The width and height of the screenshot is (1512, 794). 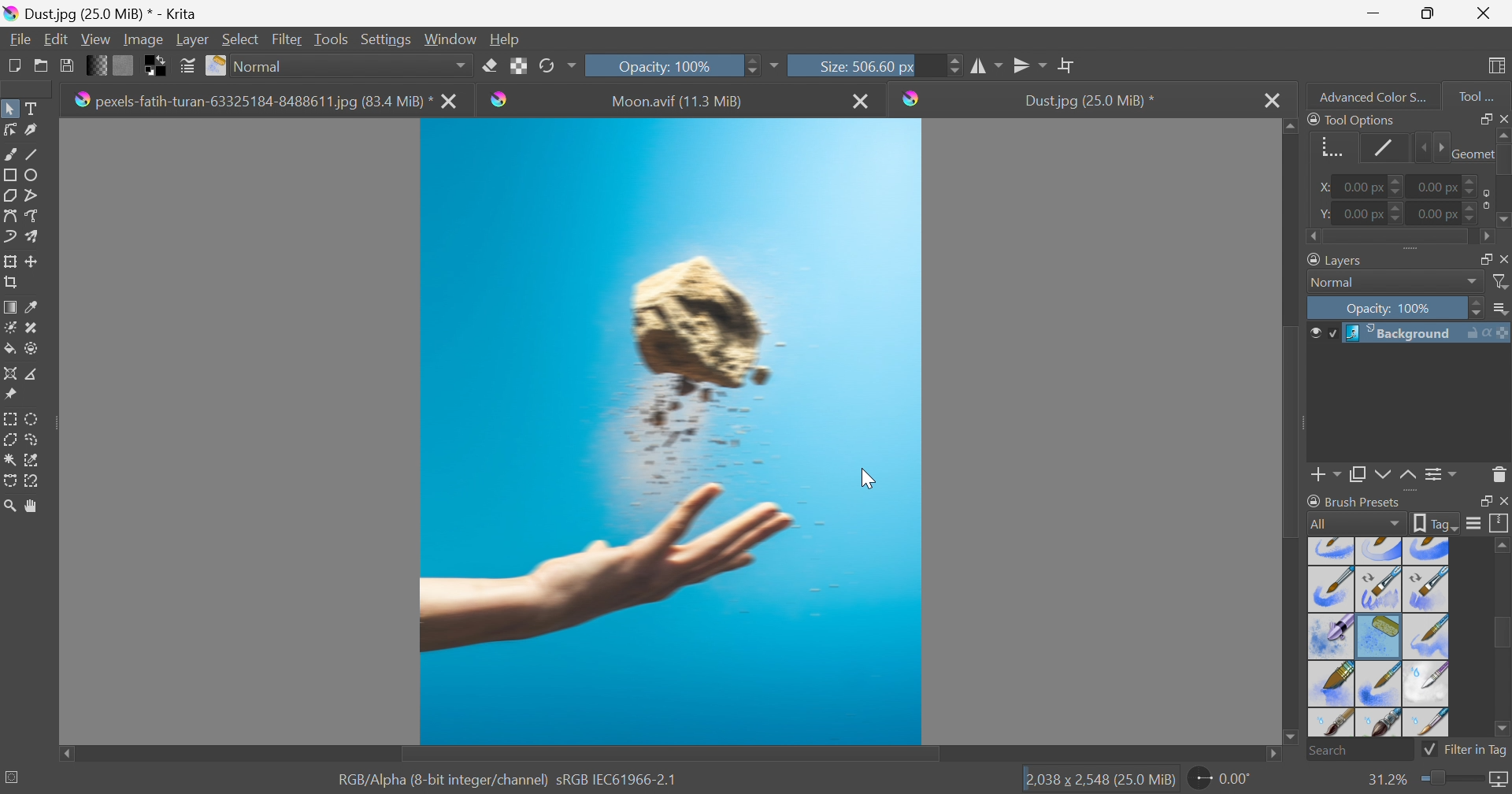 I want to click on Scroll Bar, so click(x=1292, y=429).